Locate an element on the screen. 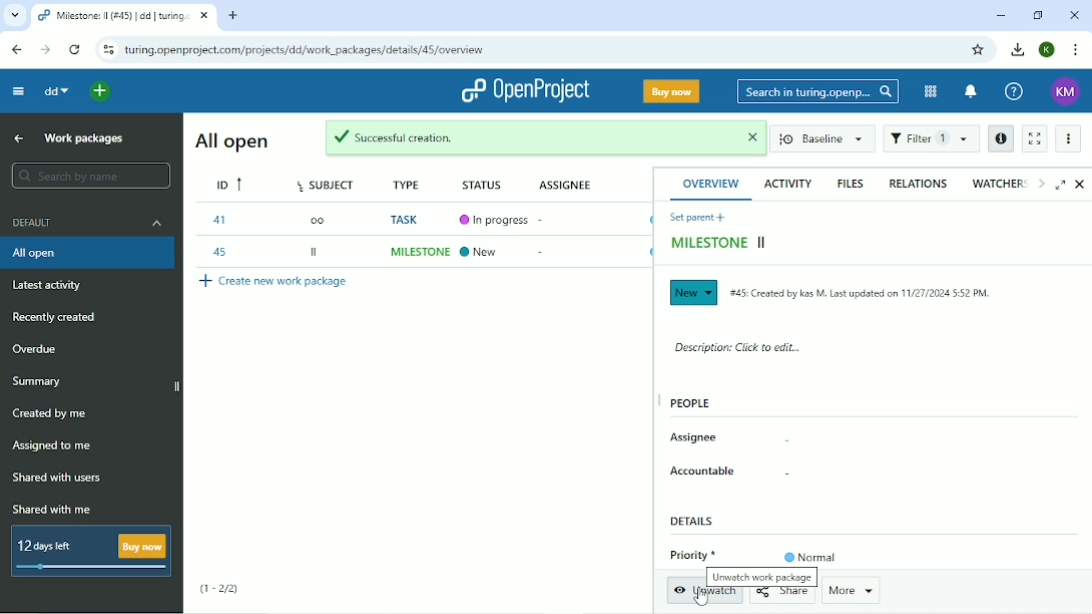 Image resolution: width=1092 pixels, height=614 pixels. Site is located at coordinates (306, 51).